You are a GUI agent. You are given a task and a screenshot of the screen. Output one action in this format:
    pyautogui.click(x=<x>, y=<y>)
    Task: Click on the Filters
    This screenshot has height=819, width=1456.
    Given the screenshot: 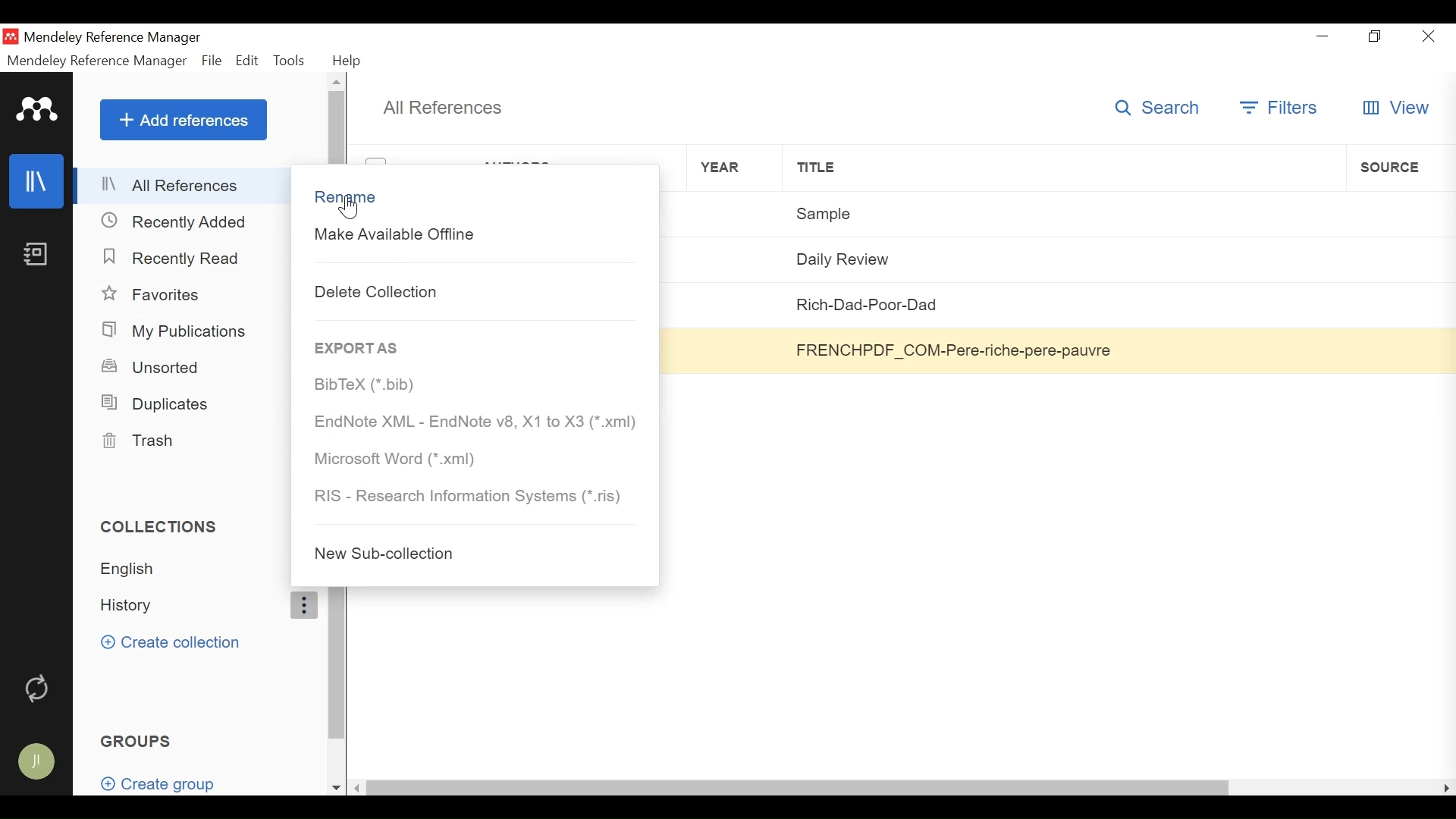 What is the action you would take?
    pyautogui.click(x=1281, y=108)
    